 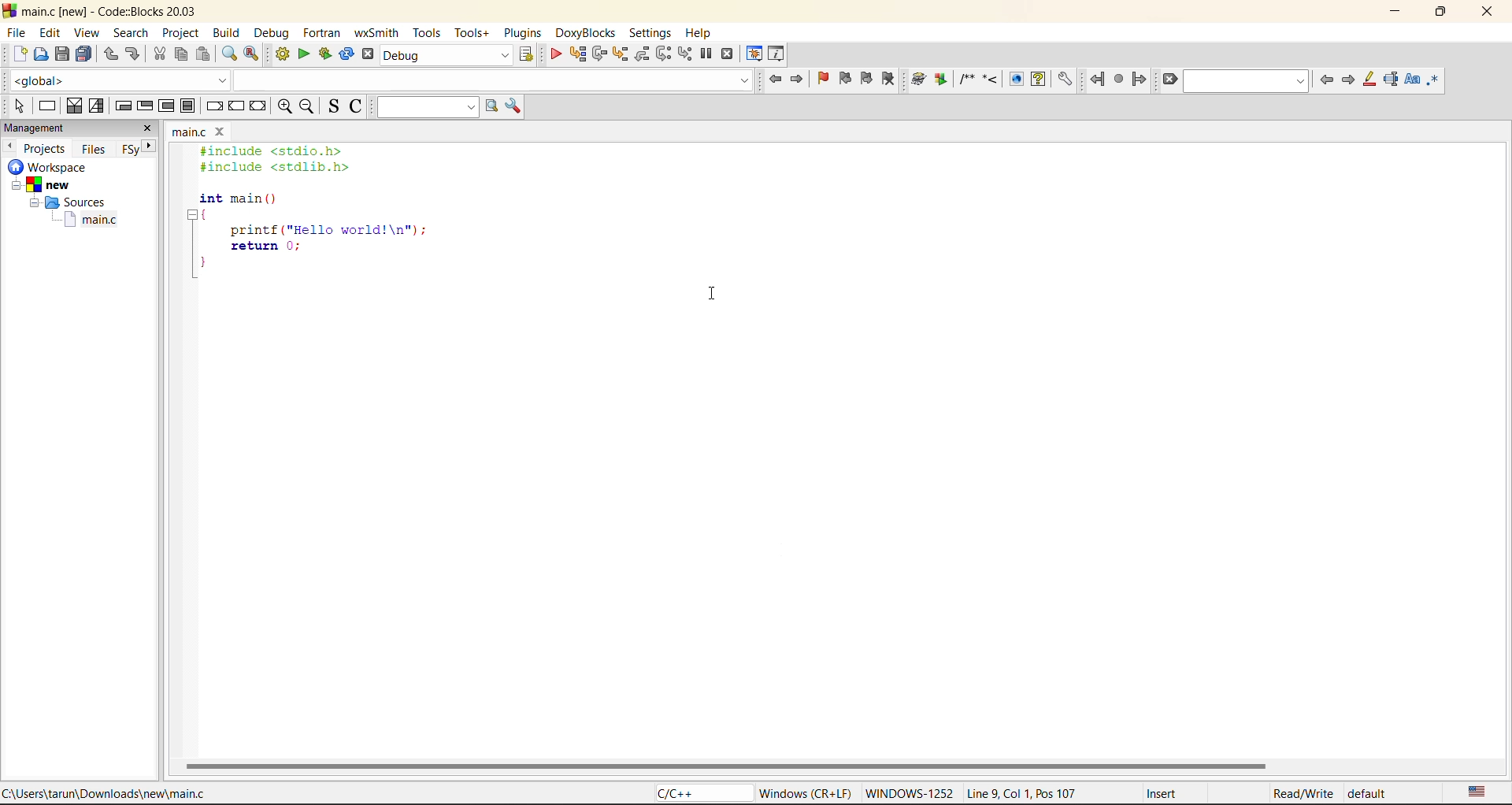 What do you see at coordinates (579, 54) in the screenshot?
I see `run to cursor` at bounding box center [579, 54].